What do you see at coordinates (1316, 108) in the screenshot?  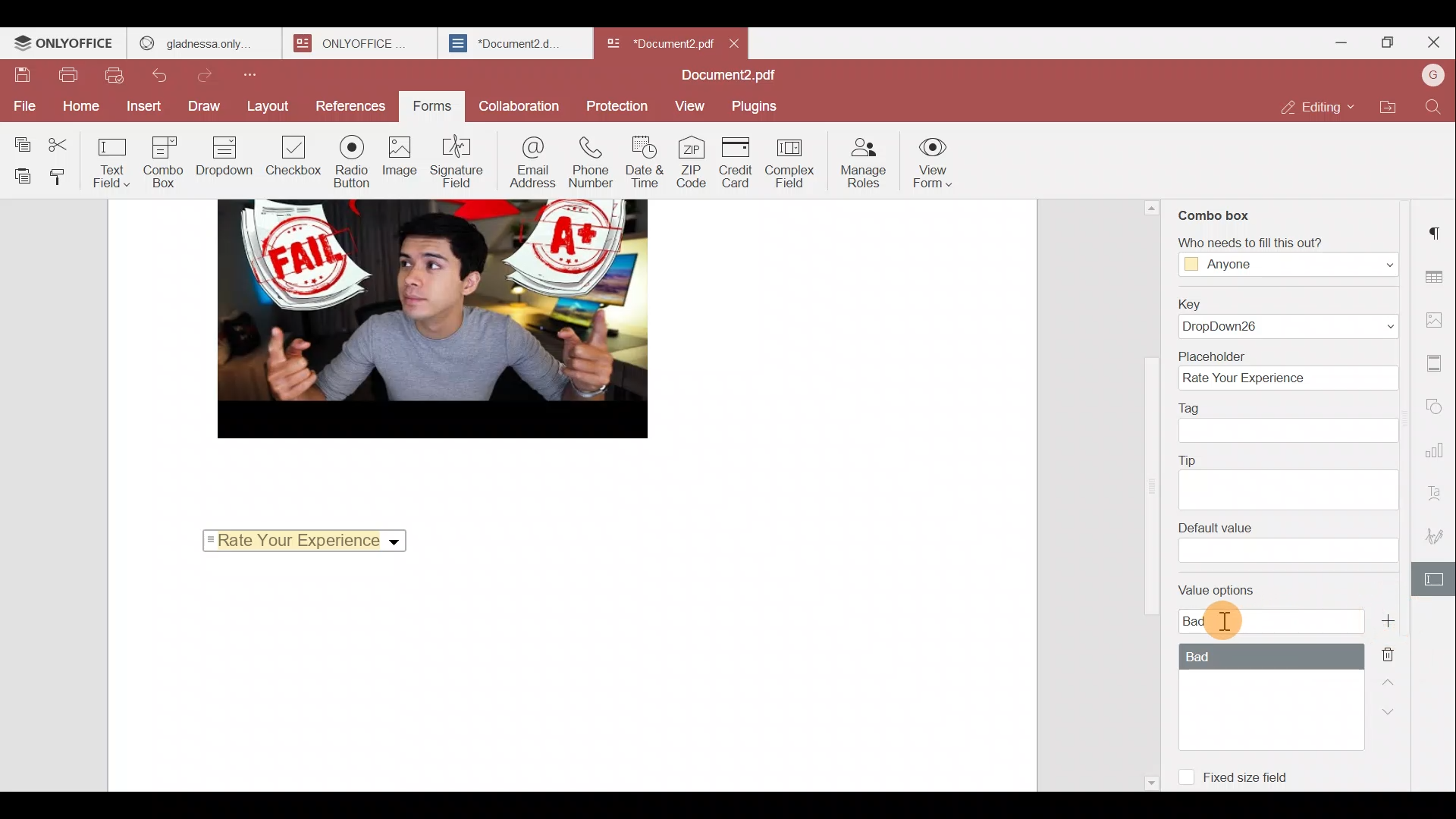 I see `Editing mode` at bounding box center [1316, 108].